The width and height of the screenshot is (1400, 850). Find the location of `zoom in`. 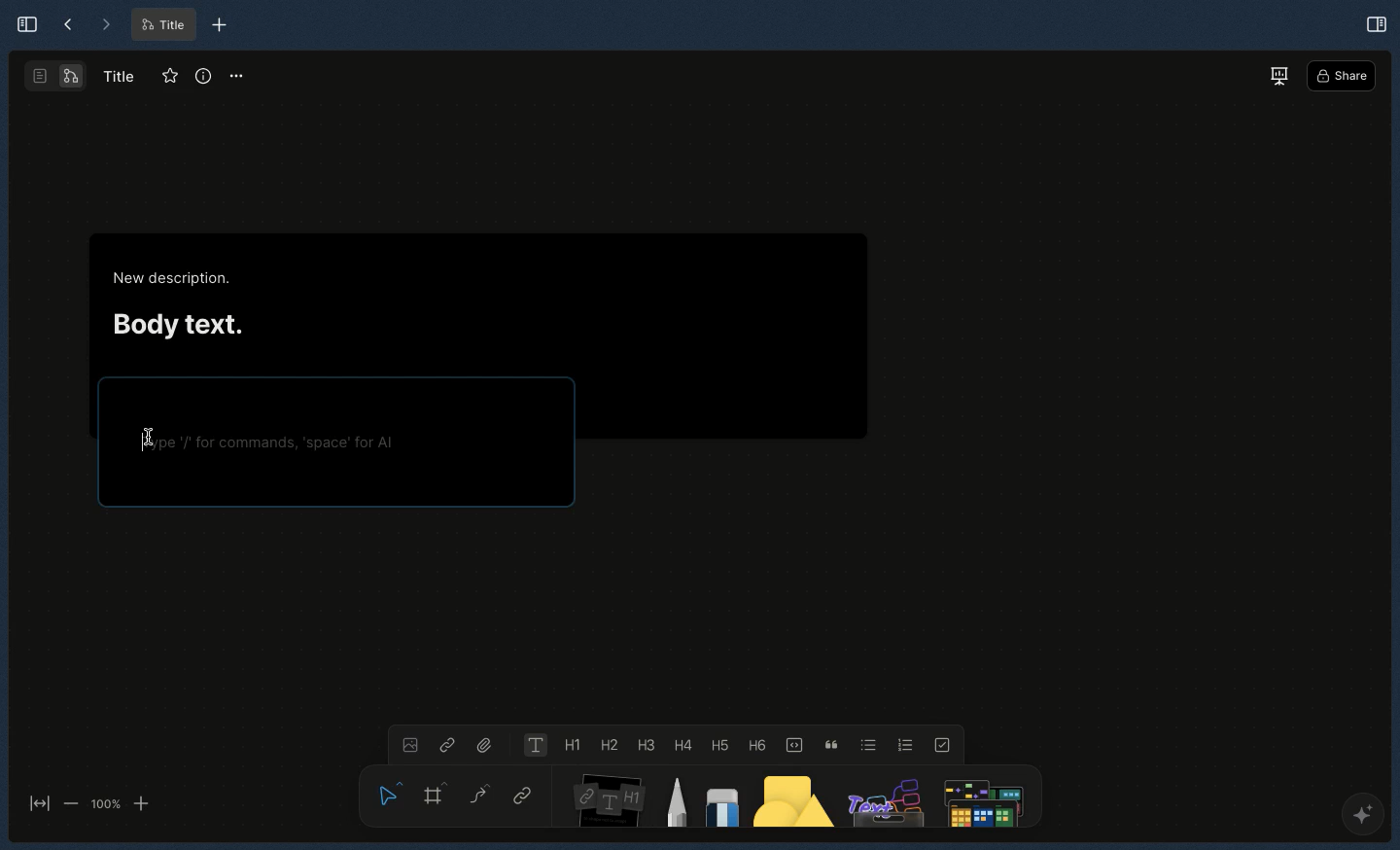

zoom in is located at coordinates (141, 804).